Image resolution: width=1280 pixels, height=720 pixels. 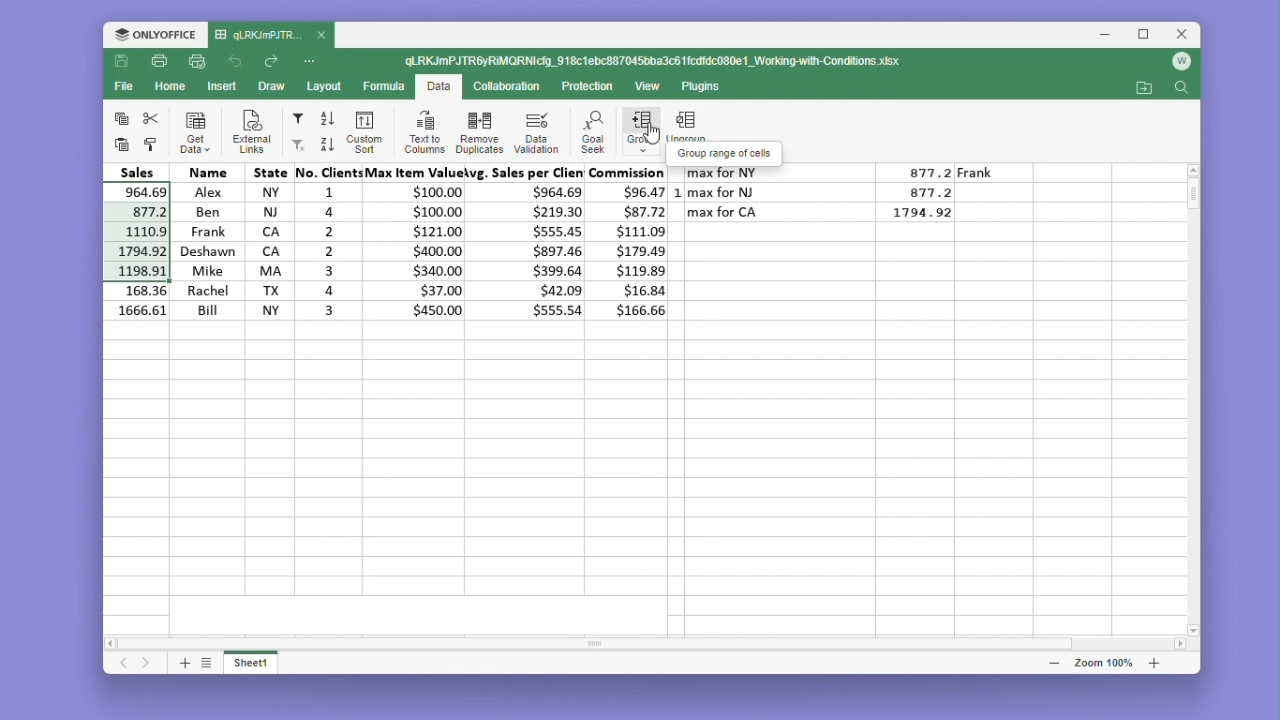 What do you see at coordinates (651, 144) in the screenshot?
I see `cursor` at bounding box center [651, 144].